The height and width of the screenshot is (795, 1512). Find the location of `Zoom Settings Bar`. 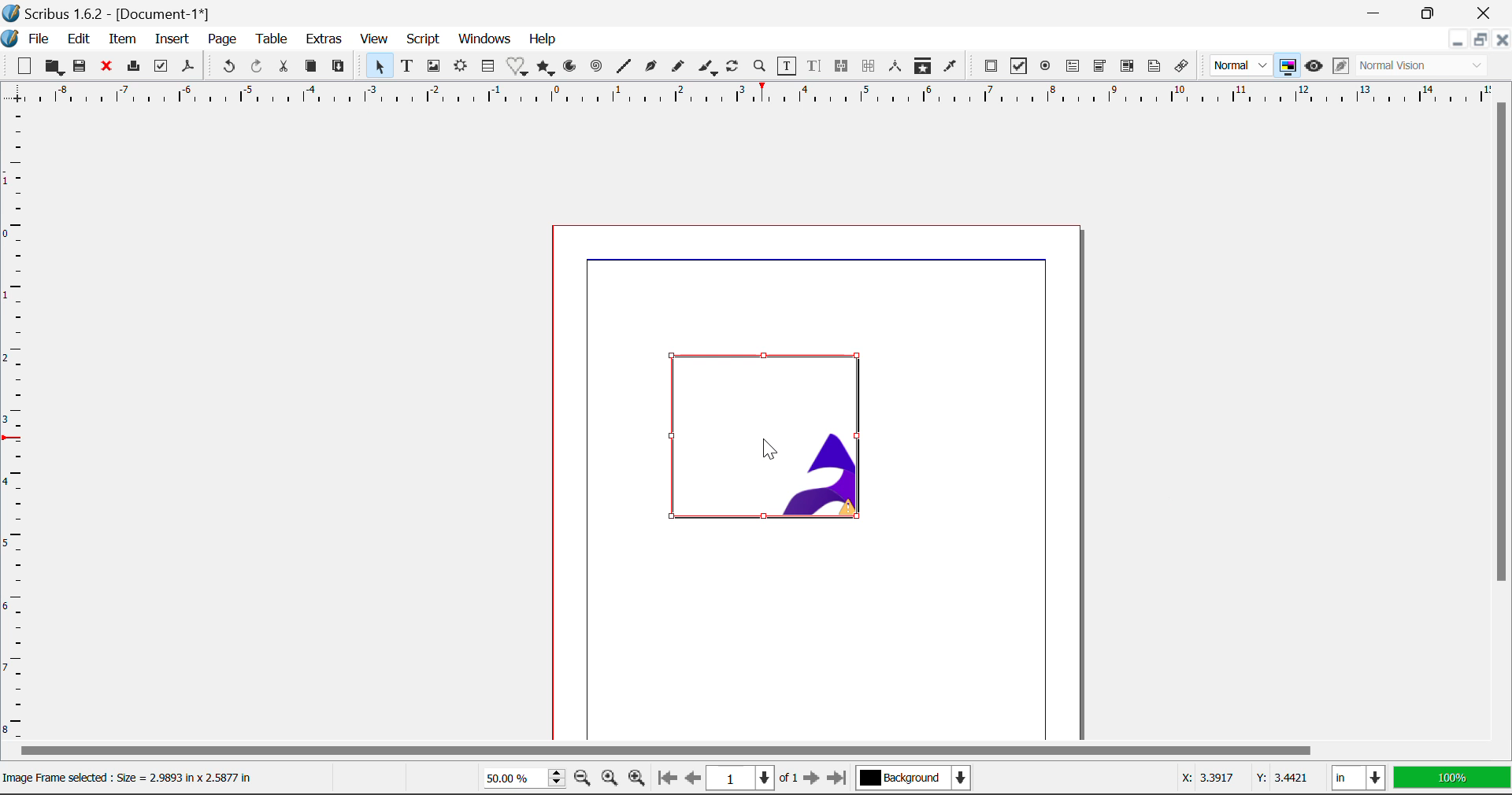

Zoom Settings Bar is located at coordinates (557, 778).